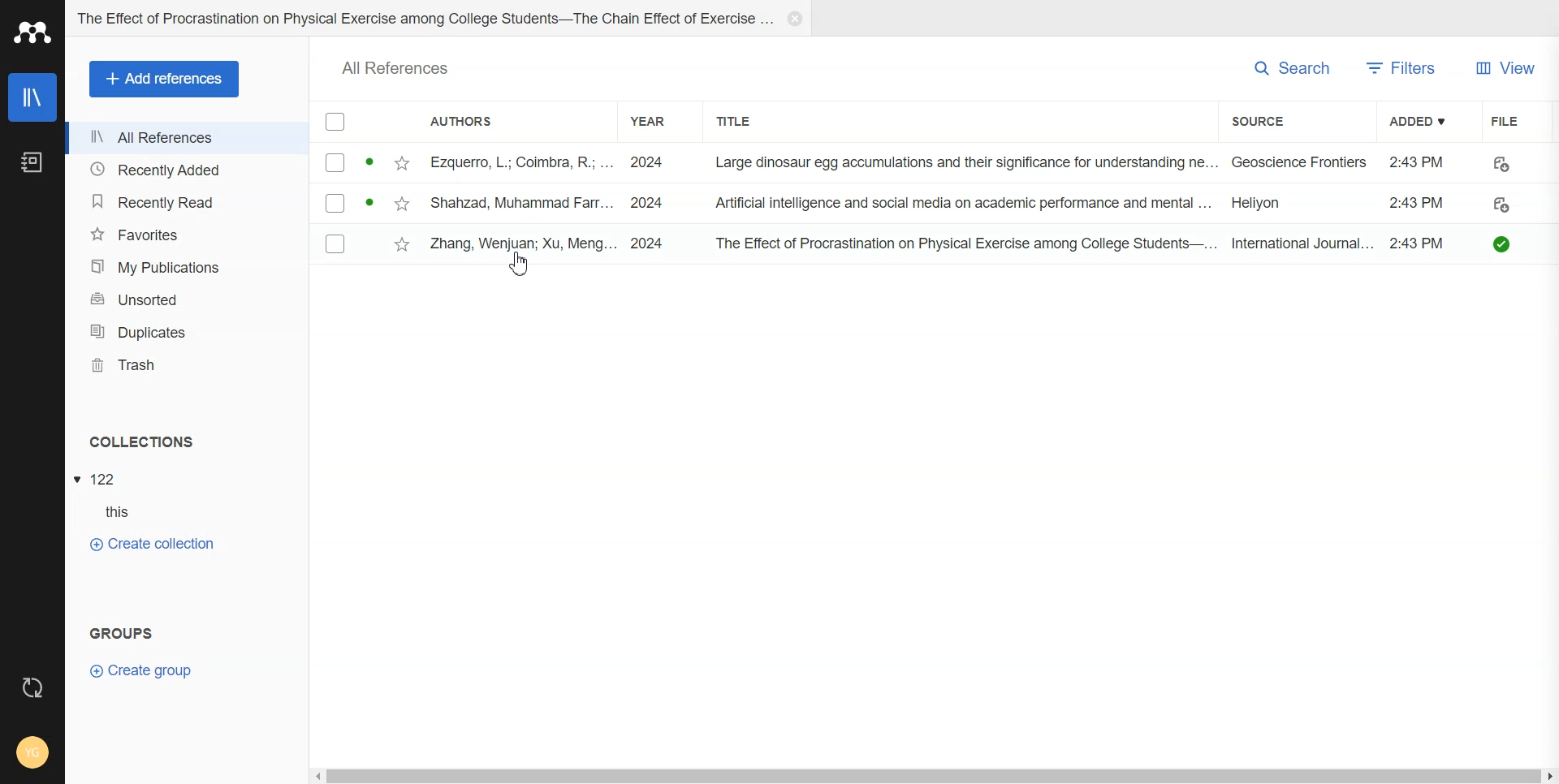 This screenshot has height=784, width=1559. What do you see at coordinates (32, 162) in the screenshot?
I see `Notebook` at bounding box center [32, 162].